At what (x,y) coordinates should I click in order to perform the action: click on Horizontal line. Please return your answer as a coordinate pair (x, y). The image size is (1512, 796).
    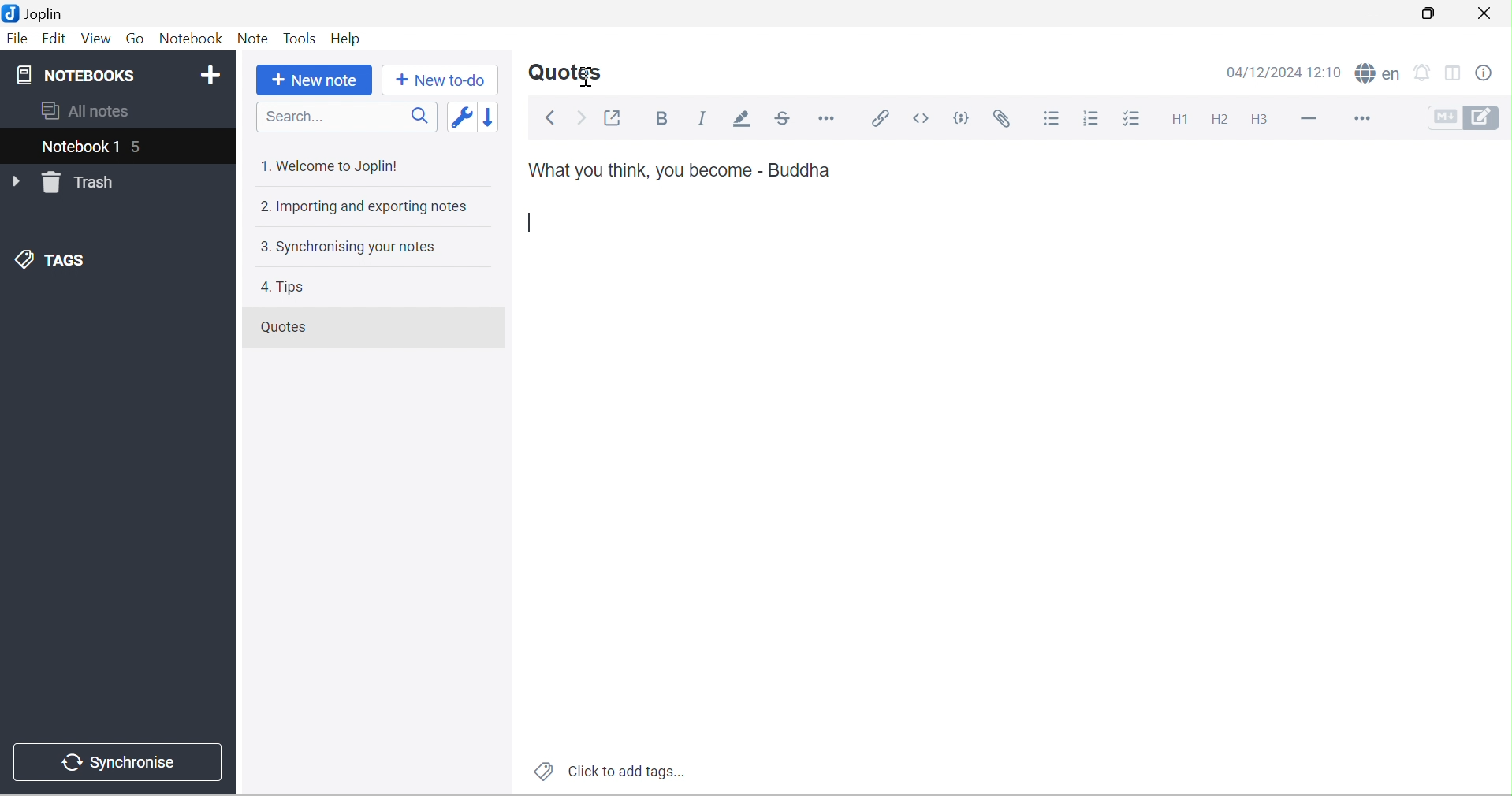
    Looking at the image, I should click on (1304, 121).